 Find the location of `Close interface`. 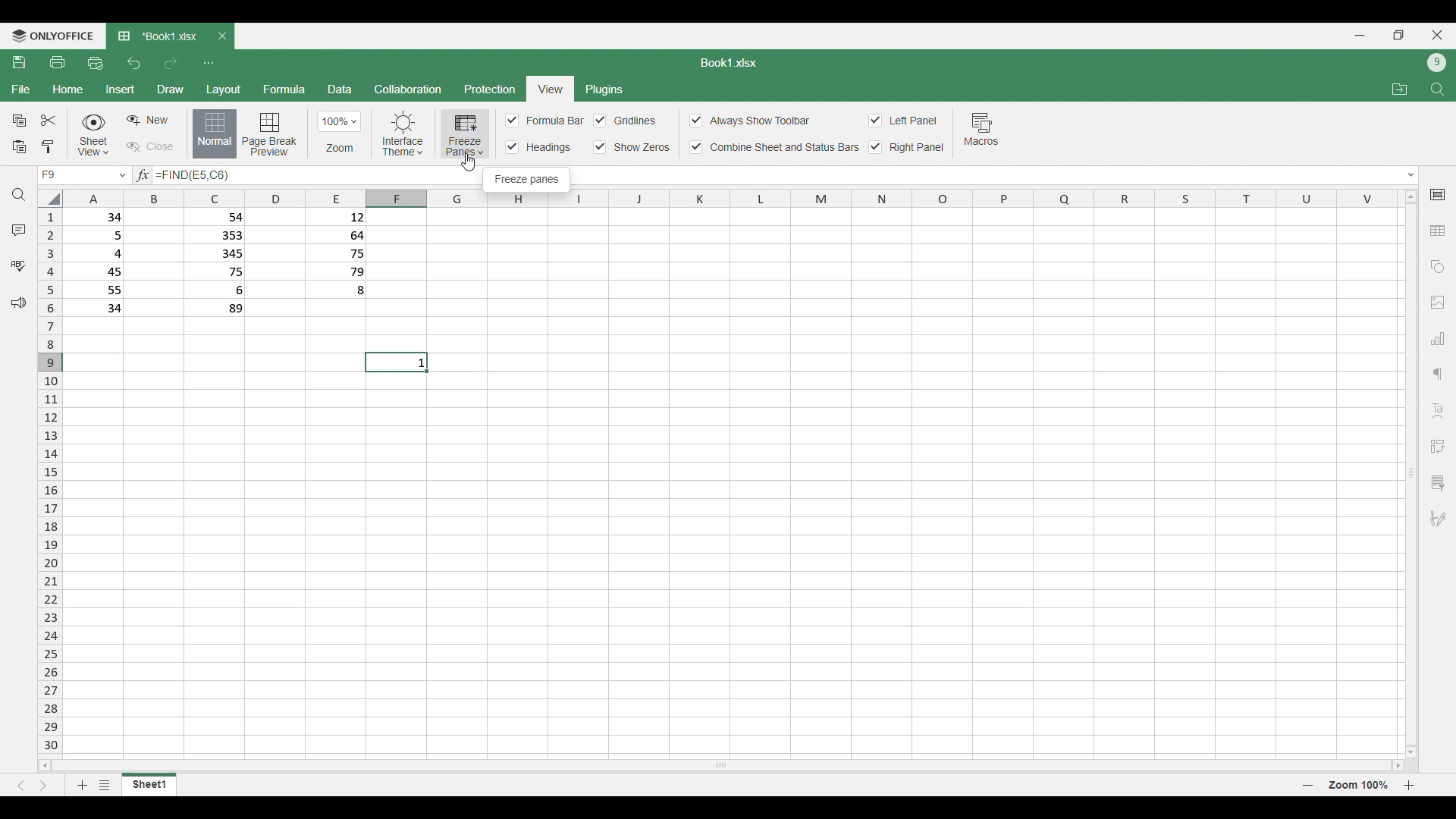

Close interface is located at coordinates (1438, 35).